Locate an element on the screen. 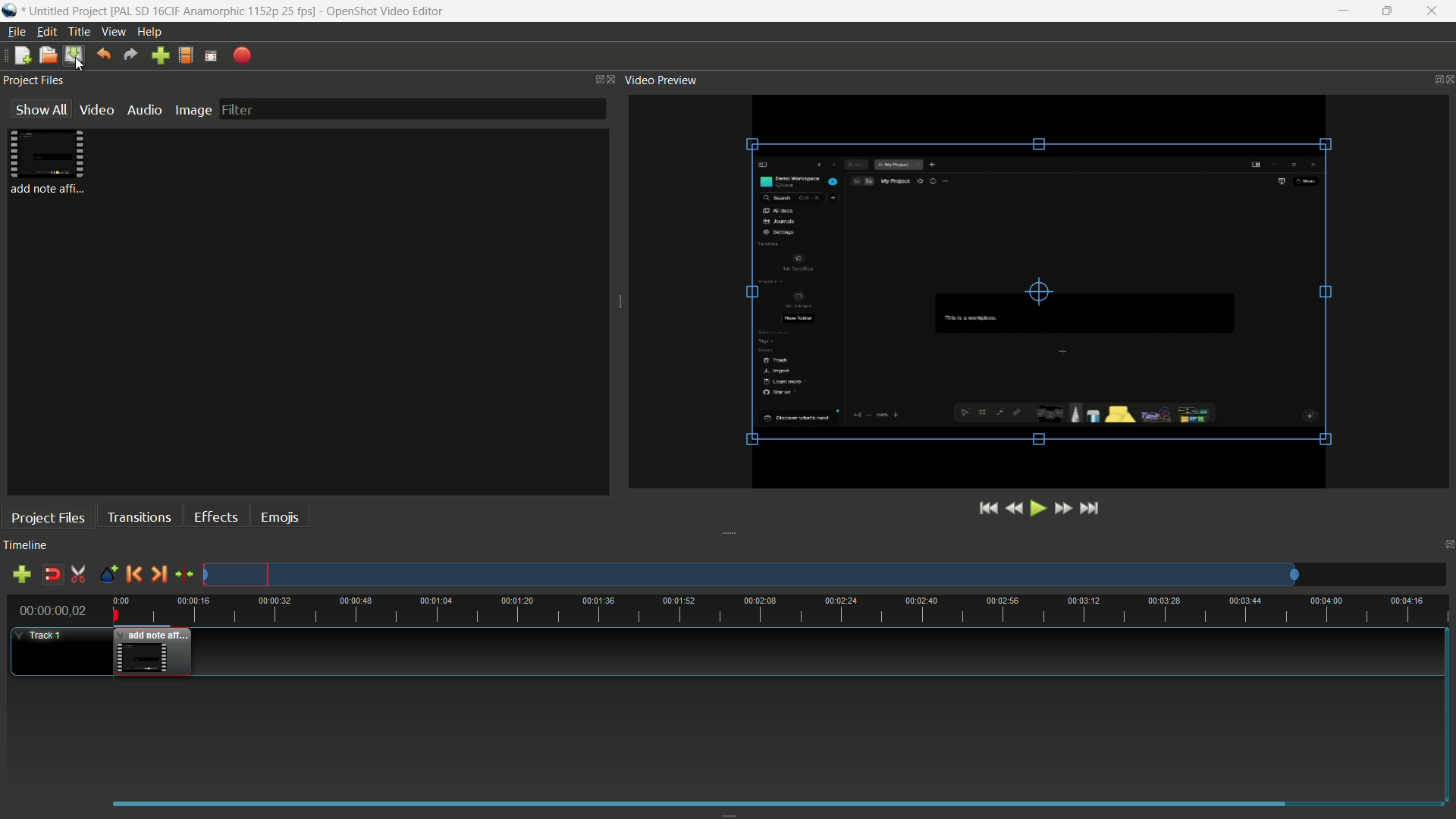 Image resolution: width=1456 pixels, height=819 pixels. Untitled Project [PAL SD 16CIF Anamorphic 1152p 25 fps] - OpenShot Video Editor is located at coordinates (241, 11).